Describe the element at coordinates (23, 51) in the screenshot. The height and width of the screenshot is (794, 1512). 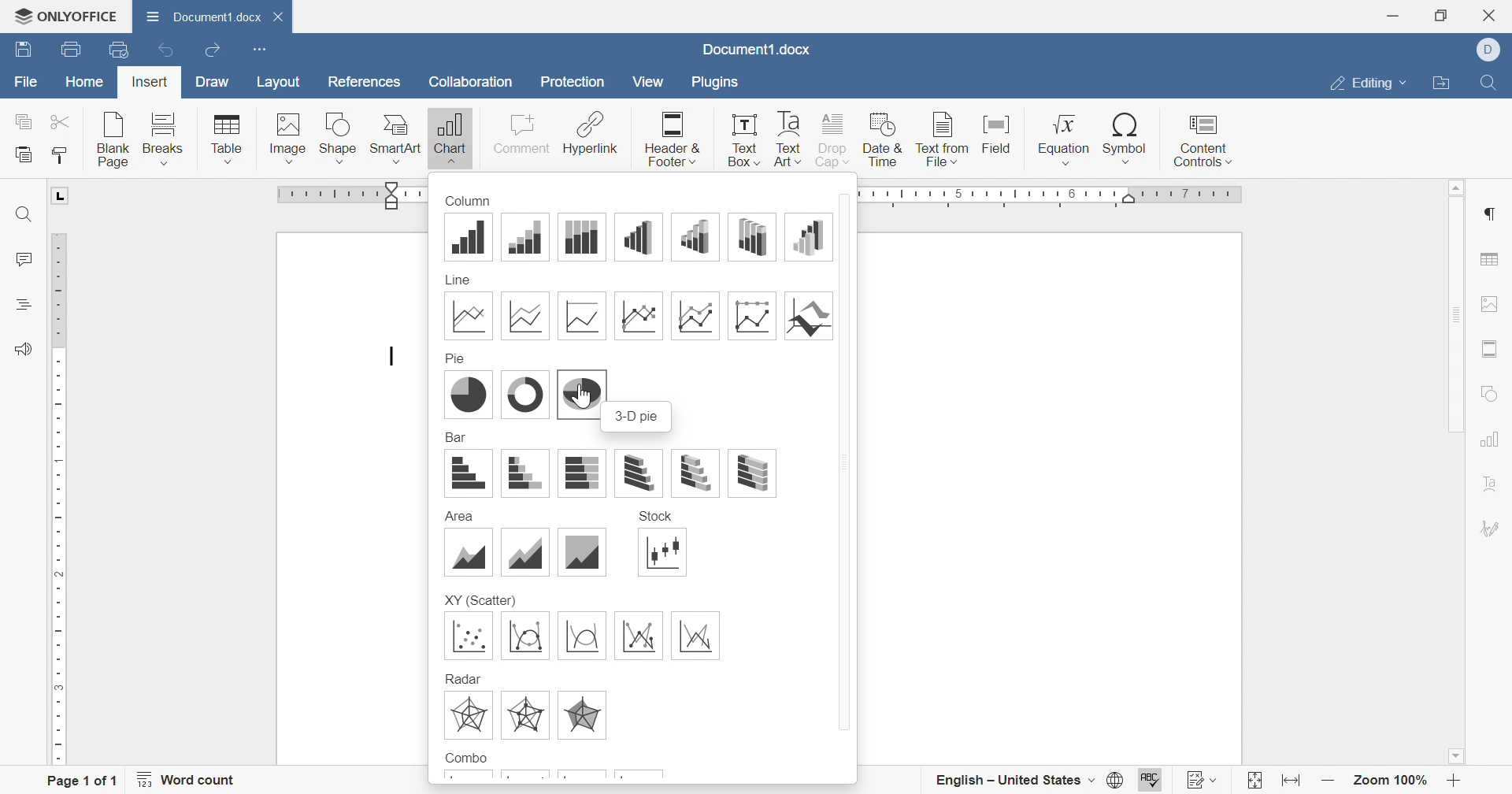
I see `Save` at that location.